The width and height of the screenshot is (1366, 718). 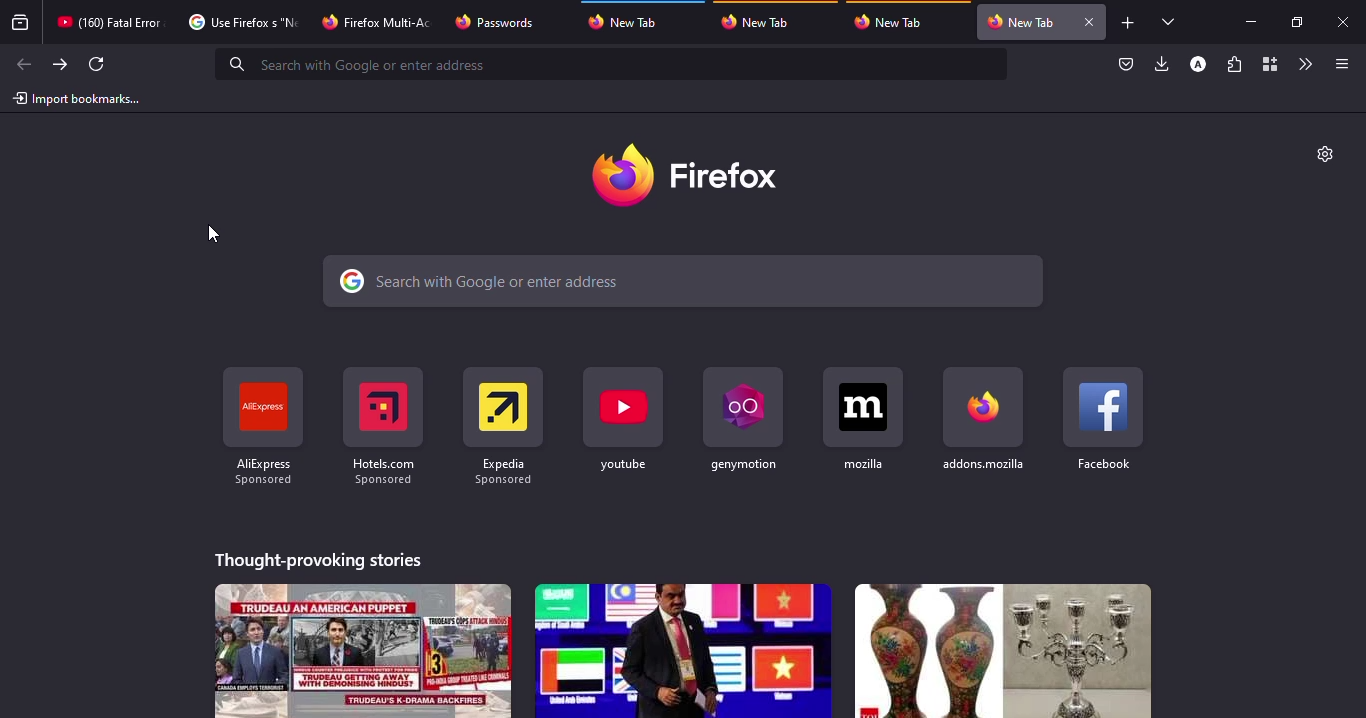 I want to click on shortcuts, so click(x=382, y=428).